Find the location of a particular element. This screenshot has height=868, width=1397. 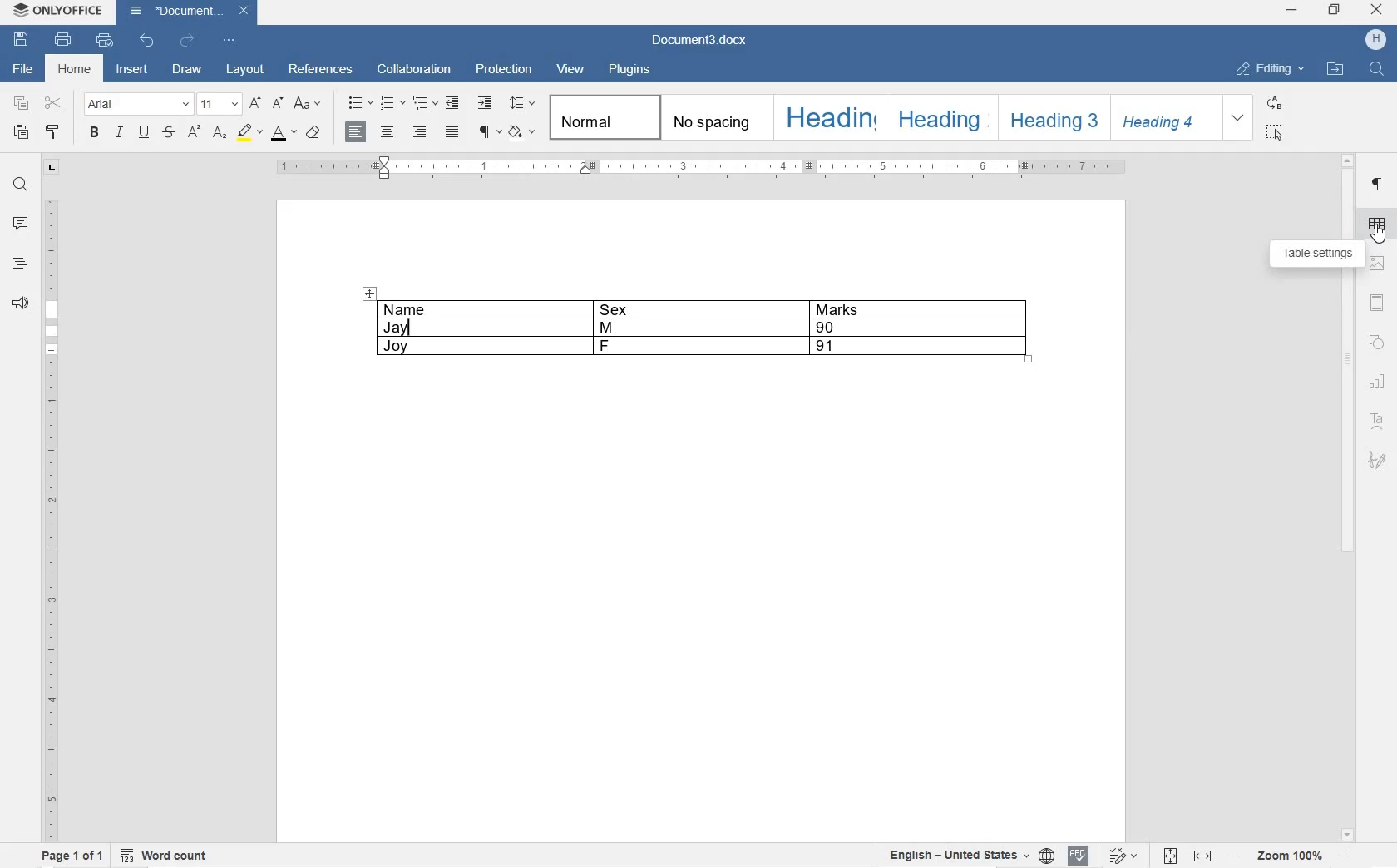

JUSTIFIED is located at coordinates (453, 132).